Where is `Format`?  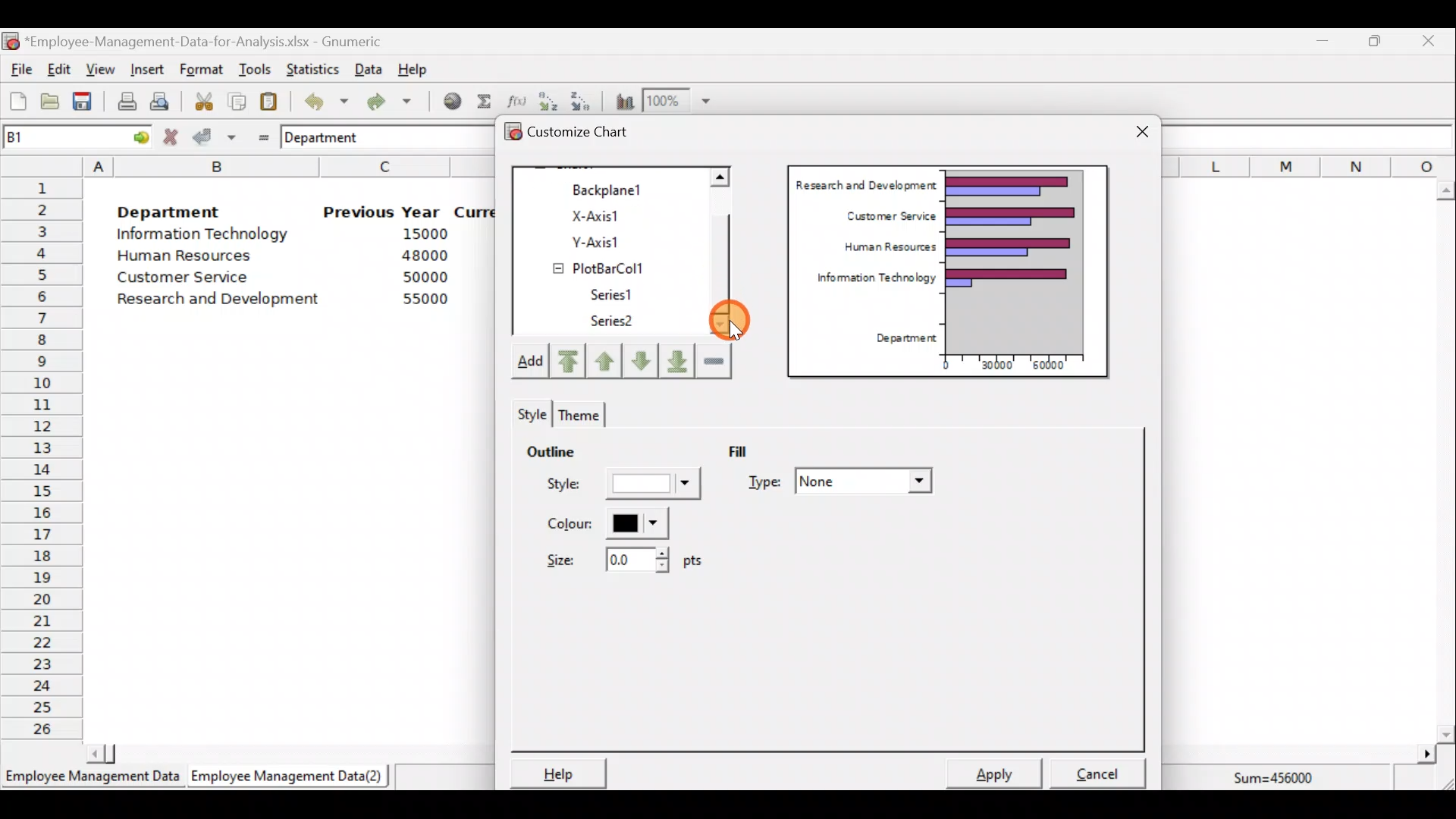 Format is located at coordinates (201, 71).